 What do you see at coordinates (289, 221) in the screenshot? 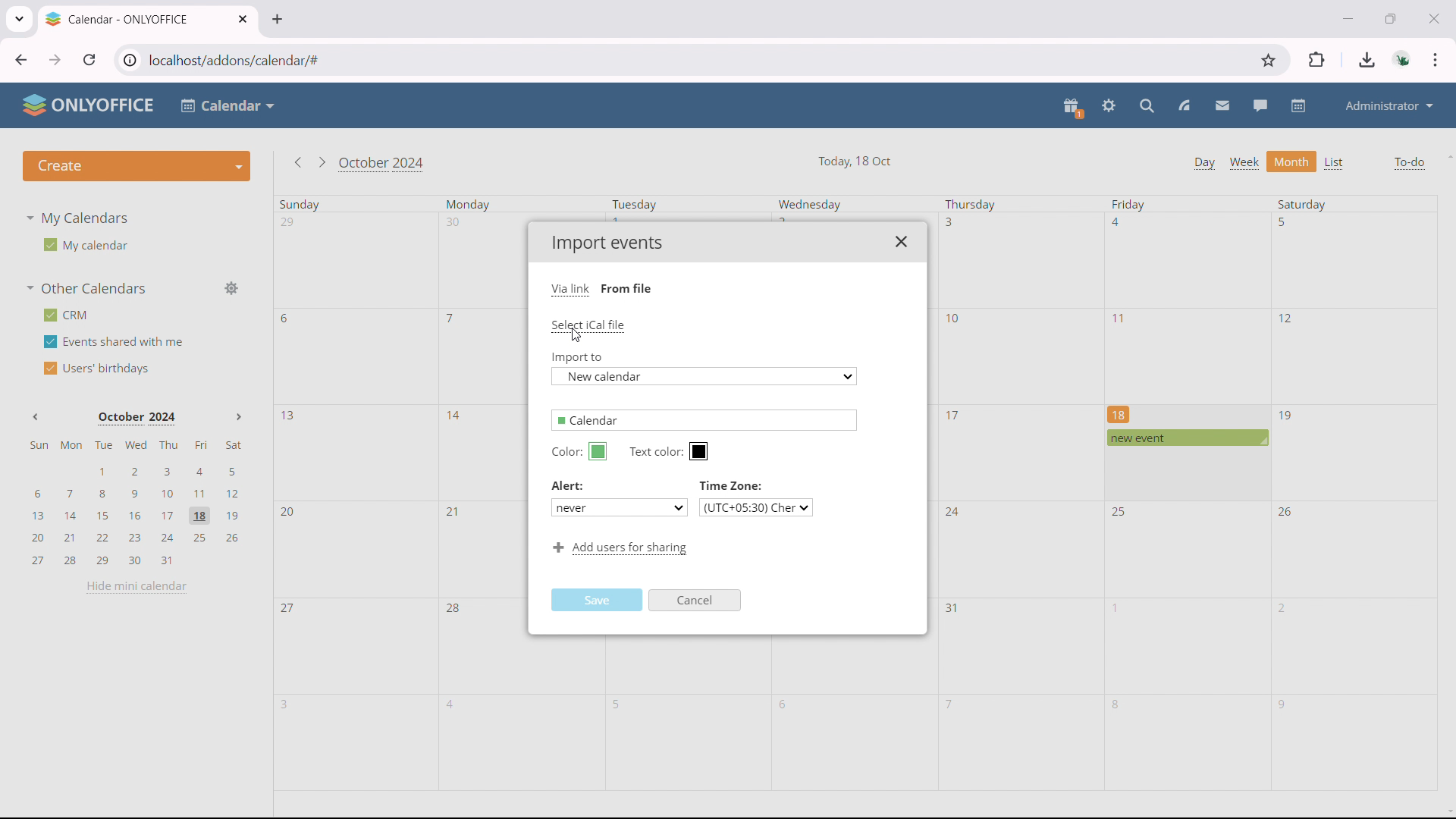
I see `29` at bounding box center [289, 221].